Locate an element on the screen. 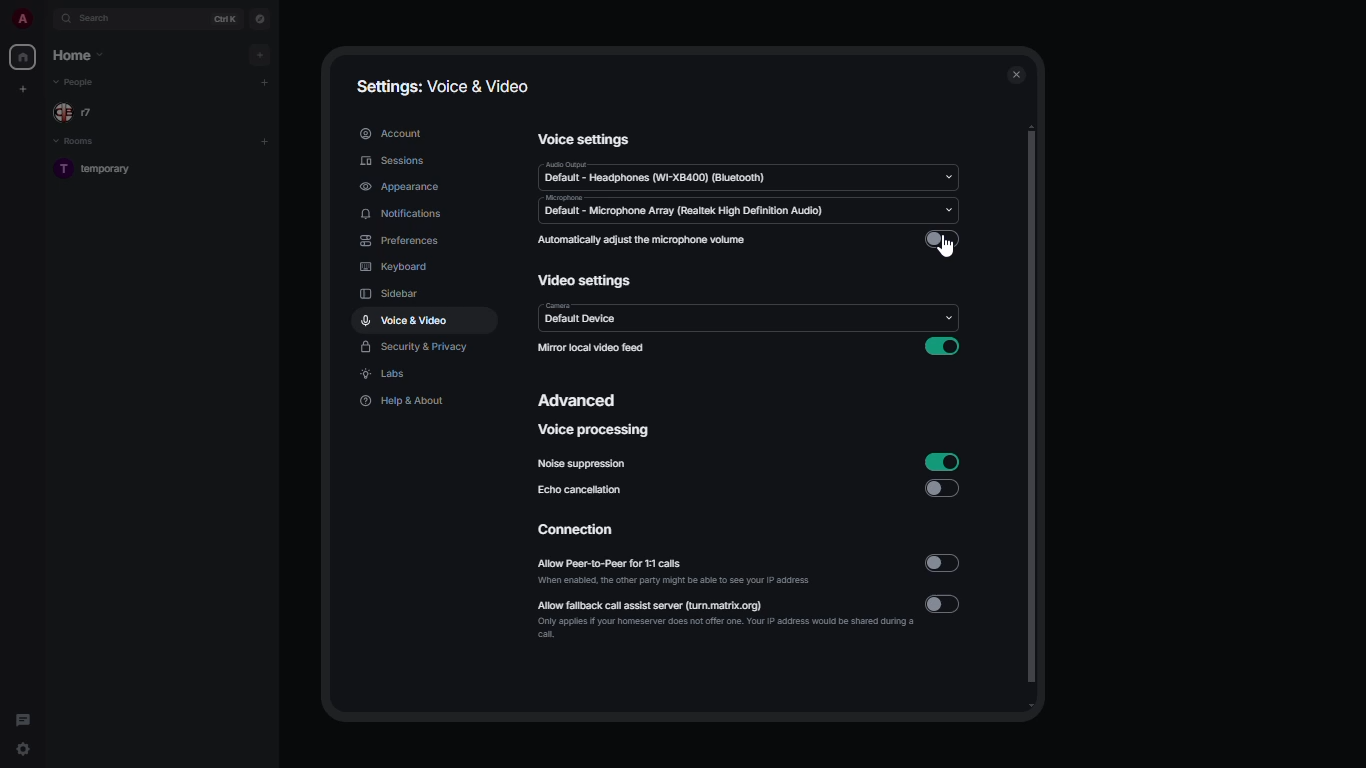 Image resolution: width=1366 pixels, height=768 pixels. allow fallback call assist server is located at coordinates (725, 617).